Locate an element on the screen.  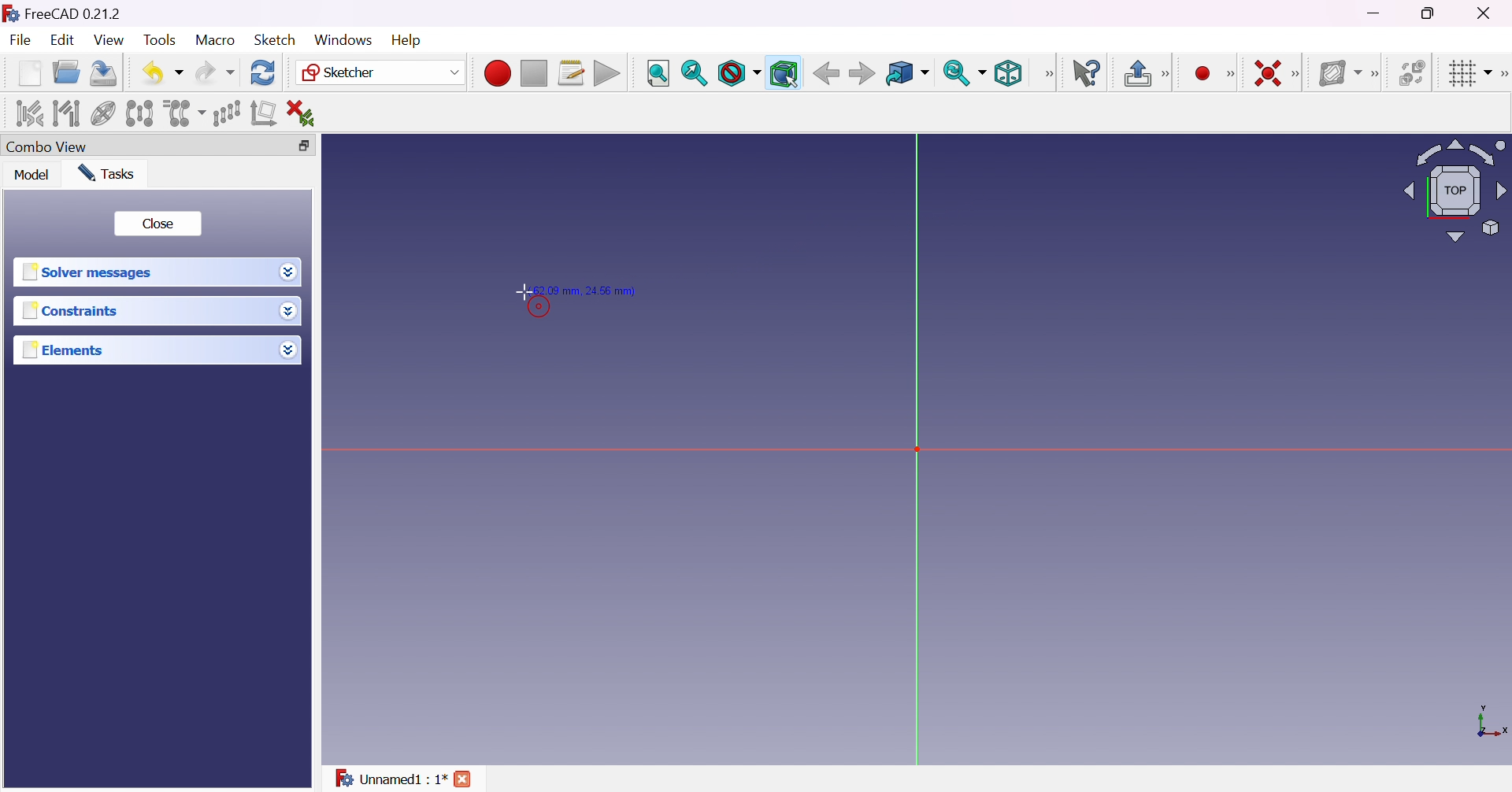
Drop is located at coordinates (291, 313).